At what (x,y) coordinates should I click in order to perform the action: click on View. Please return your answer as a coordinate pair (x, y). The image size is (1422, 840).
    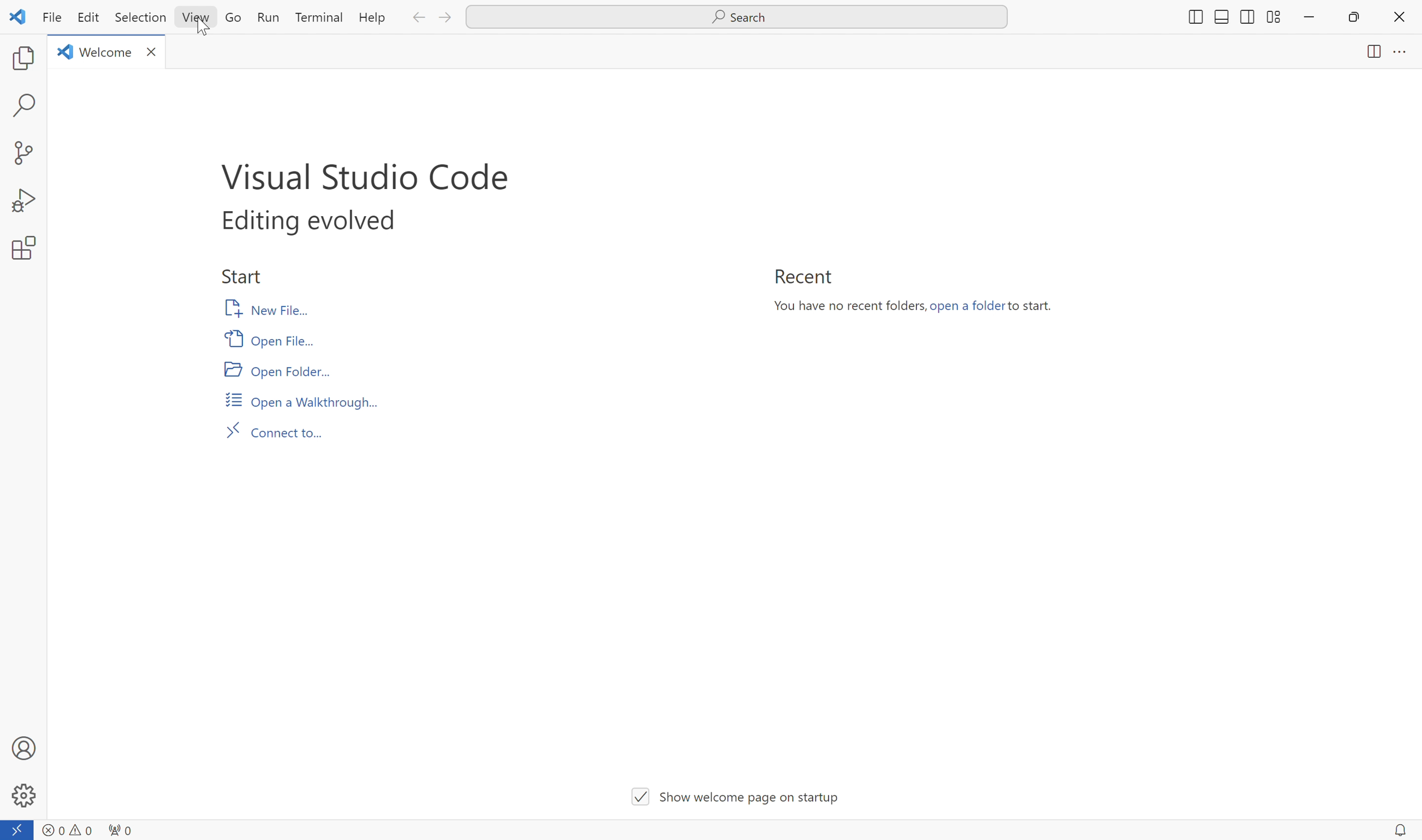
    Looking at the image, I should click on (196, 19).